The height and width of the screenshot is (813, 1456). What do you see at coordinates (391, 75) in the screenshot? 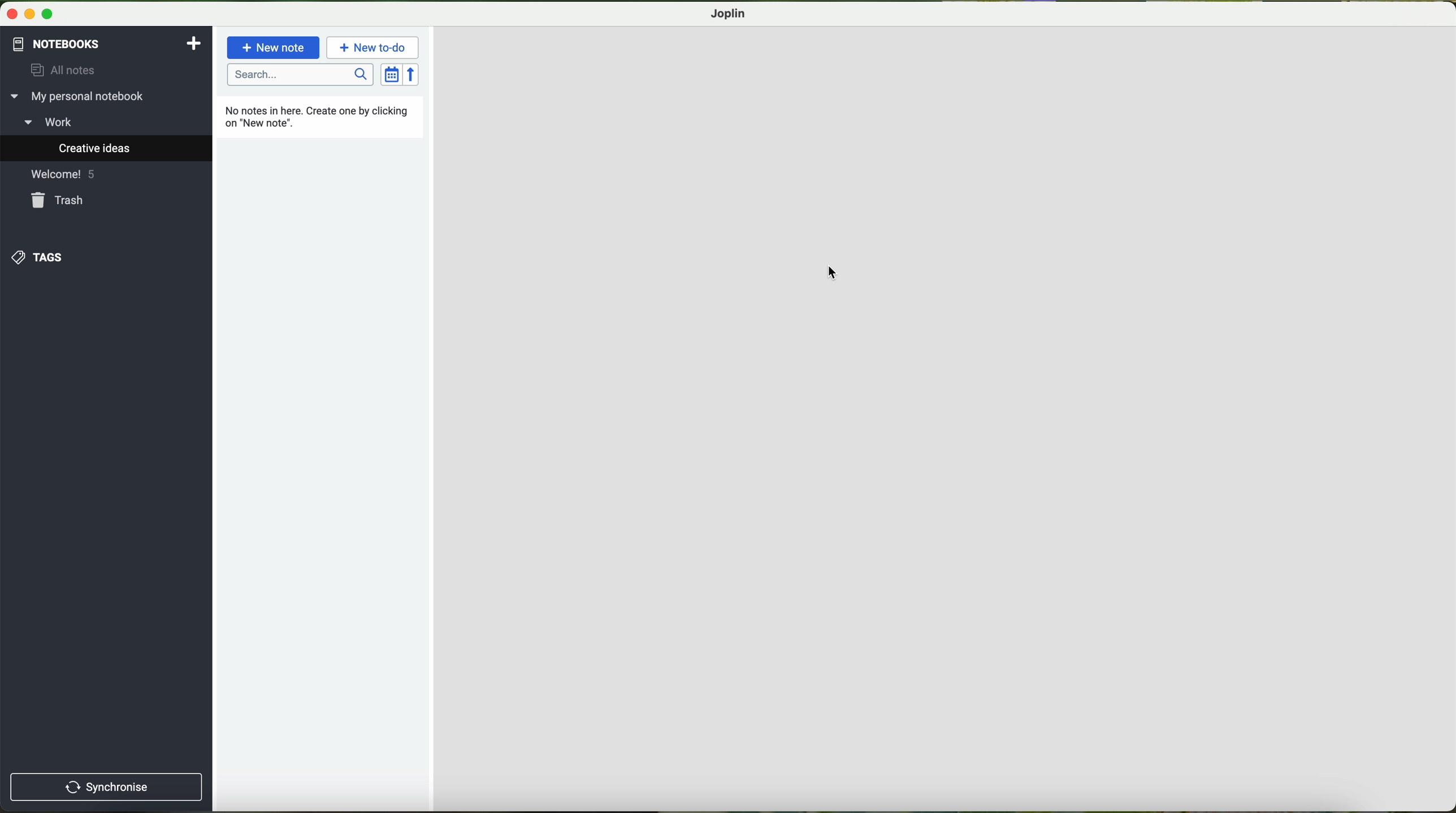
I see `` at bounding box center [391, 75].